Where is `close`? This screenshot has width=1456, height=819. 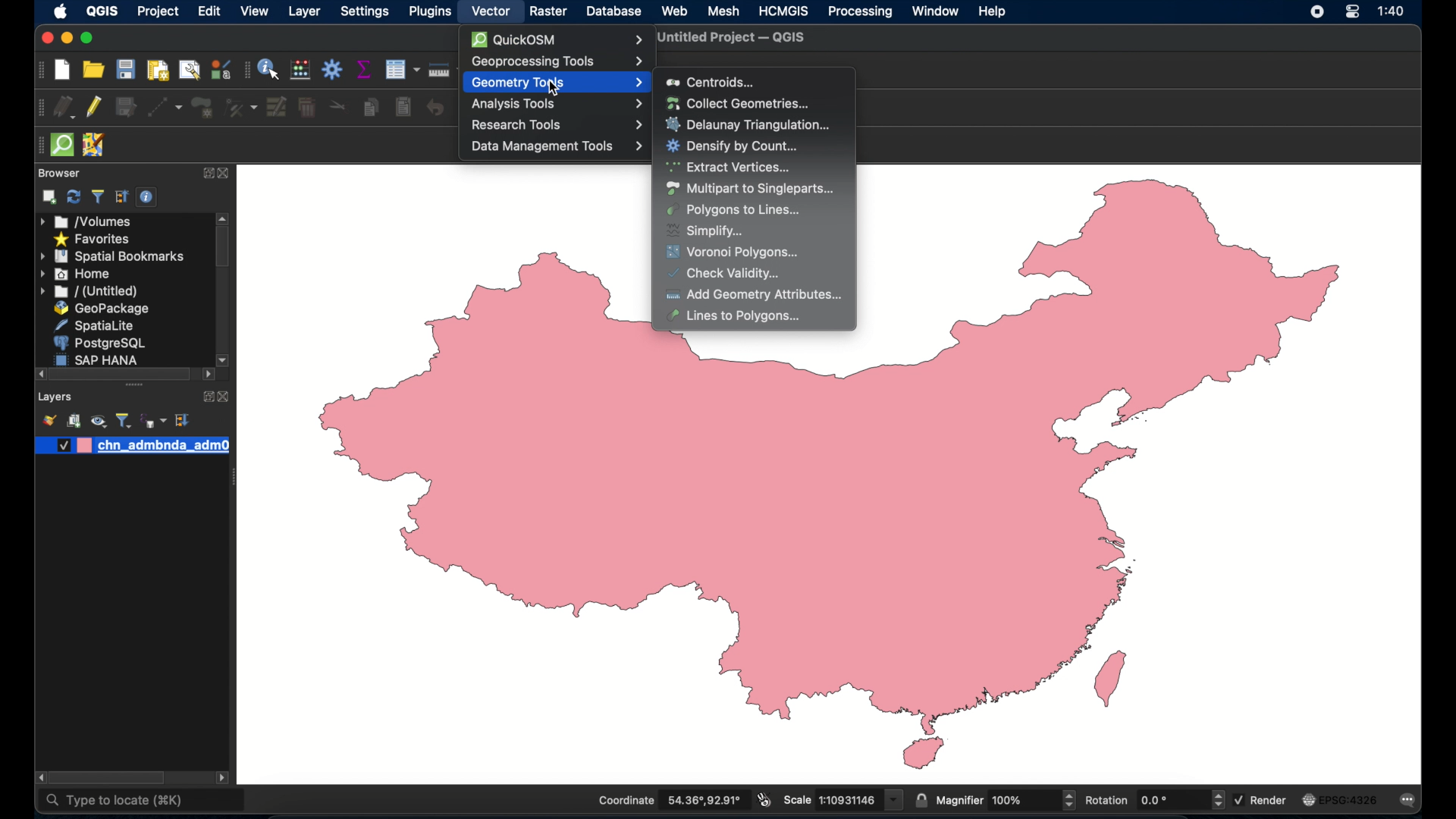
close is located at coordinates (225, 397).